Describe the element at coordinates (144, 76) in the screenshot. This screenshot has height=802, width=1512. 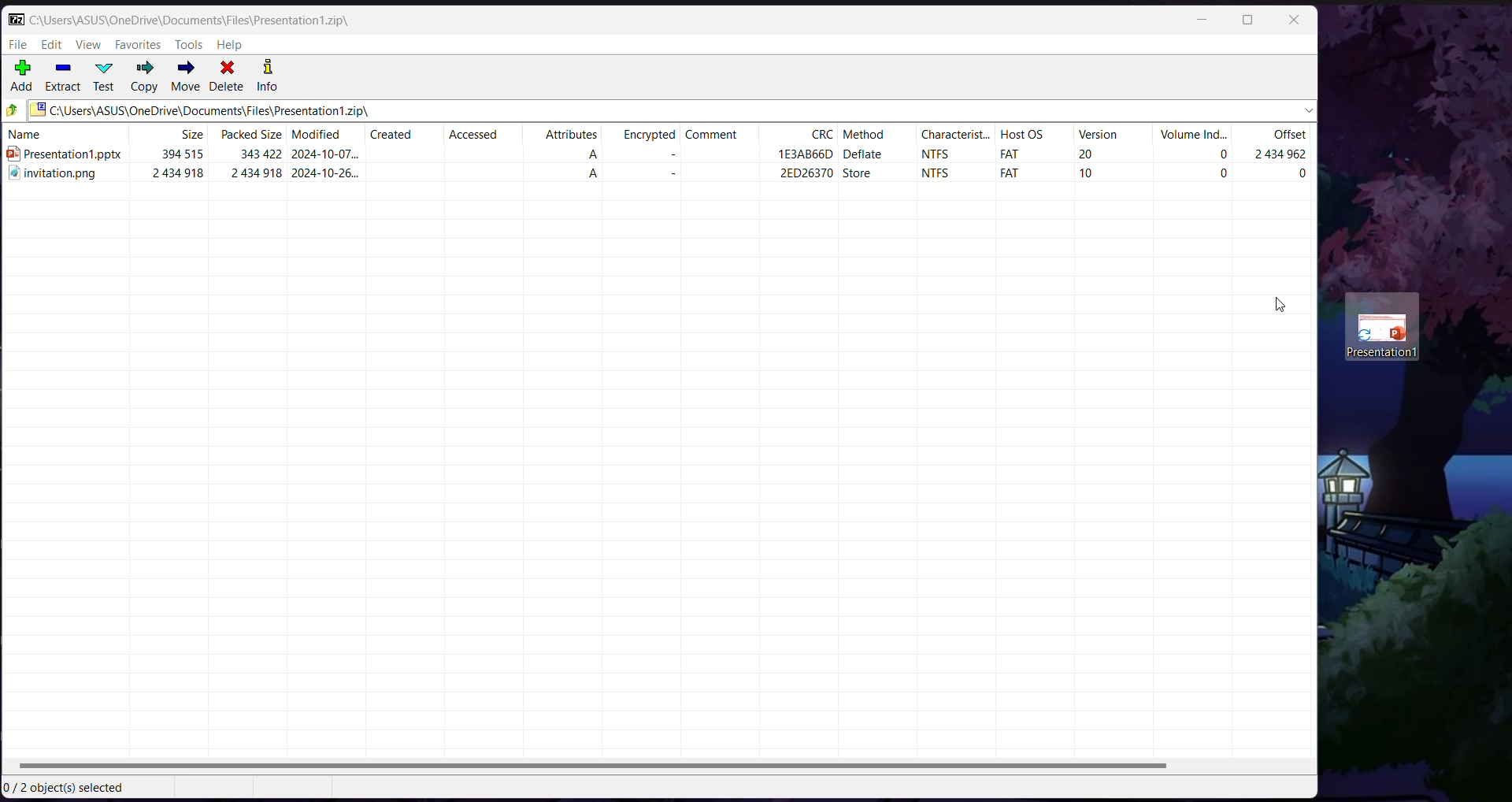
I see `Copy` at that location.